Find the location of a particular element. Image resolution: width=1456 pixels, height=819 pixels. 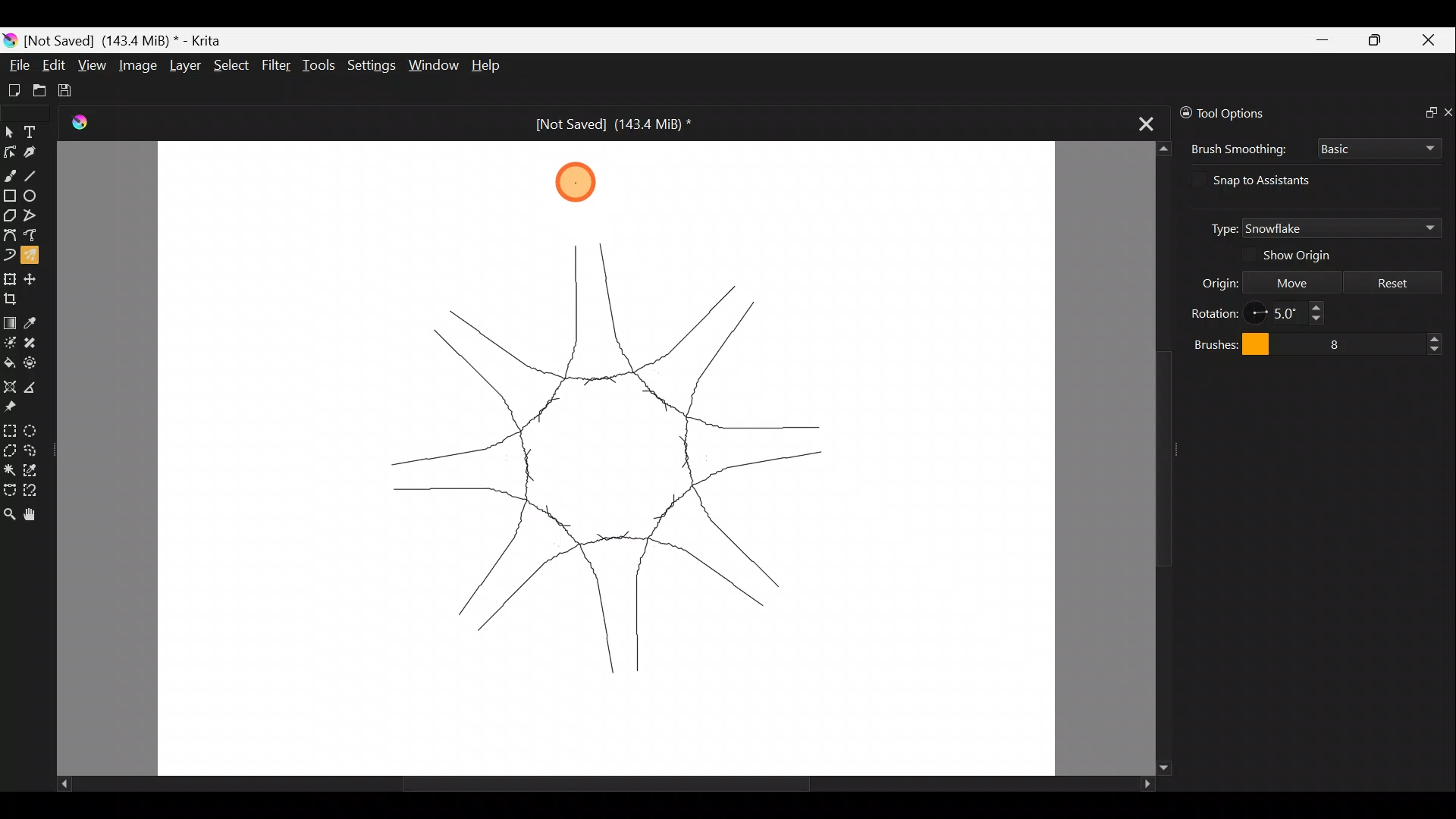

Select is located at coordinates (232, 65).